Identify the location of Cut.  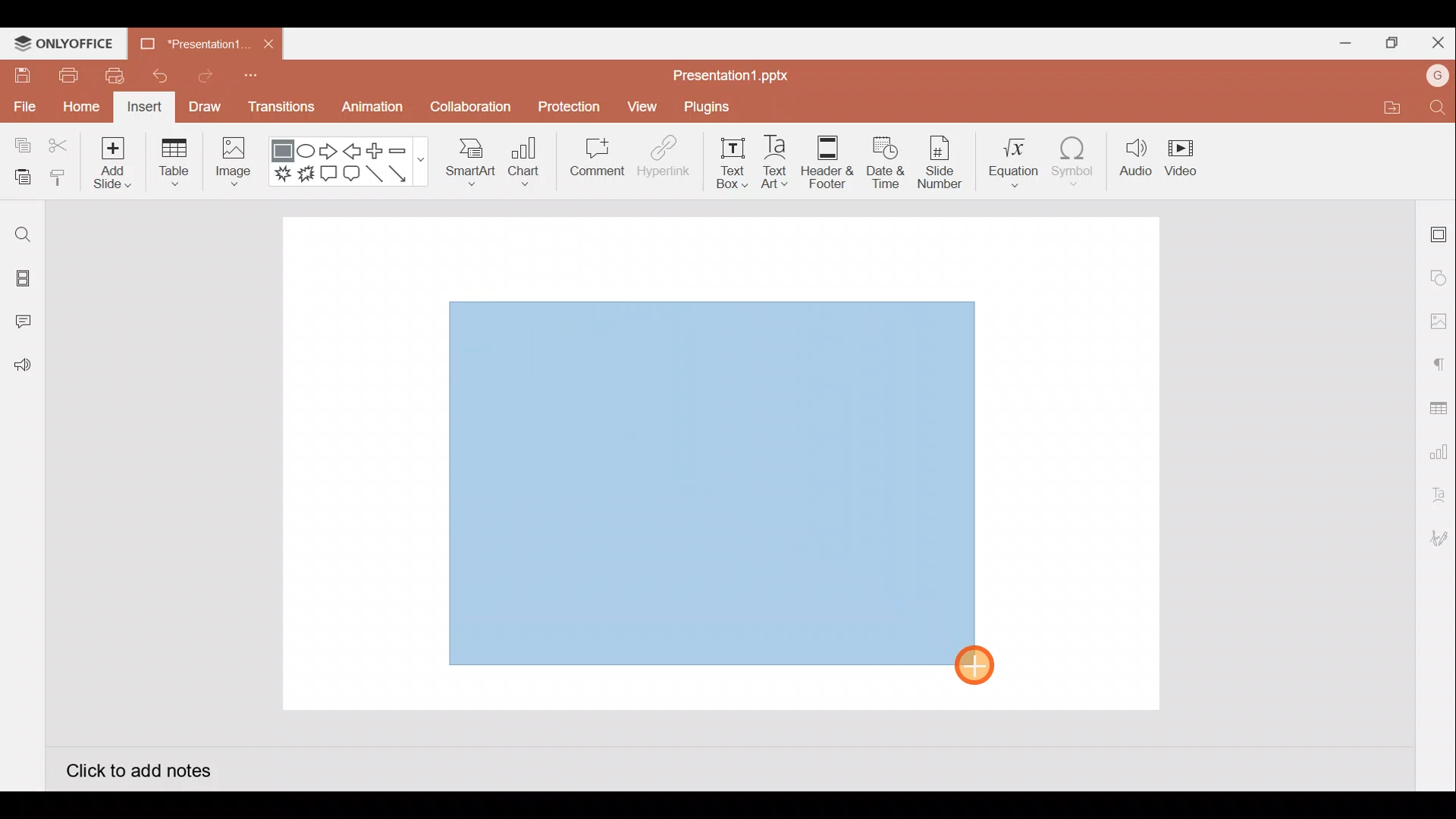
(59, 146).